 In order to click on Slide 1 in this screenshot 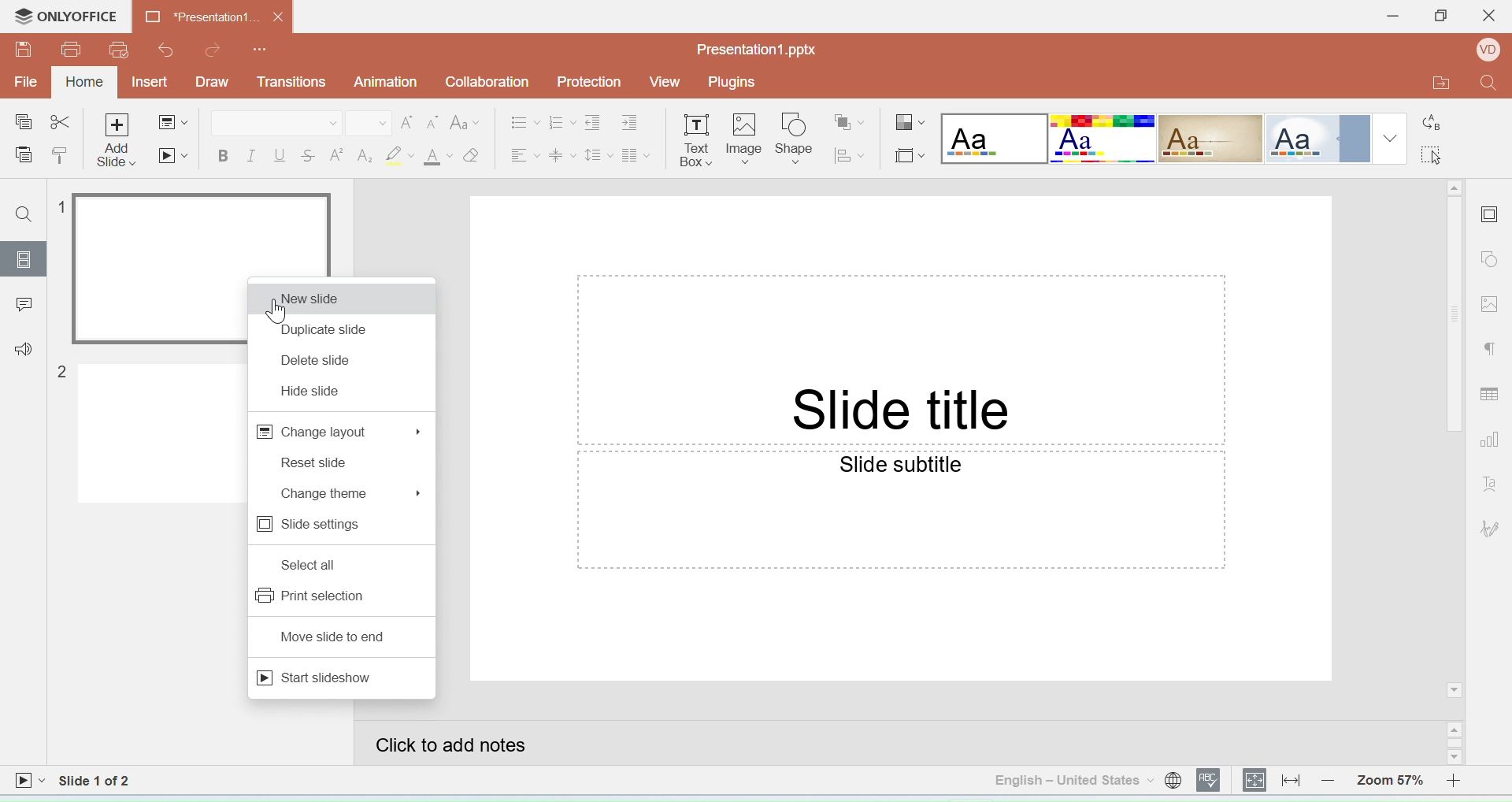, I will do `click(147, 269)`.